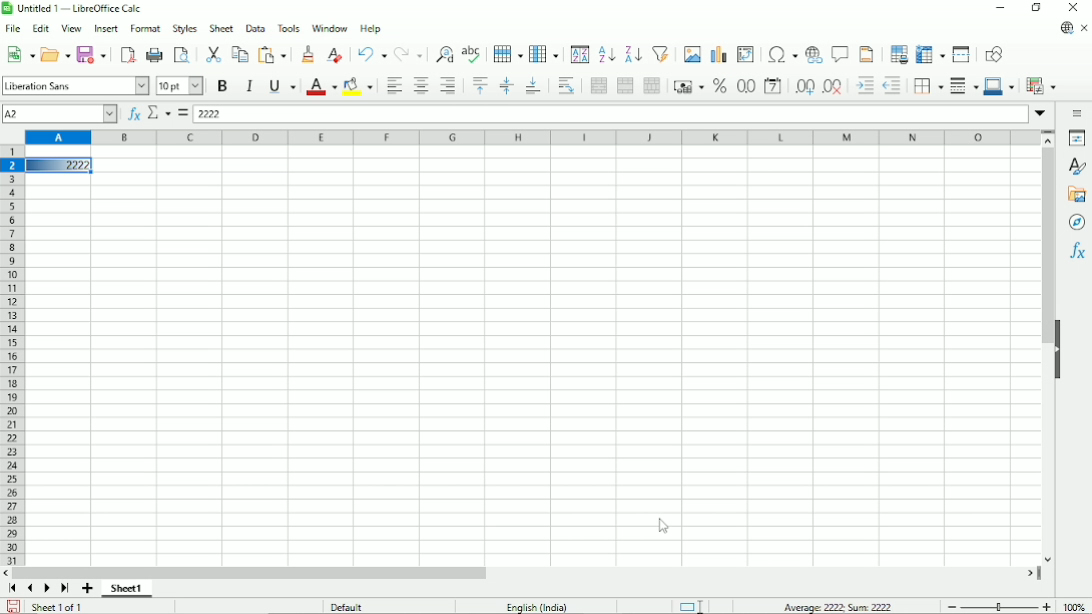  I want to click on Align center, so click(421, 85).